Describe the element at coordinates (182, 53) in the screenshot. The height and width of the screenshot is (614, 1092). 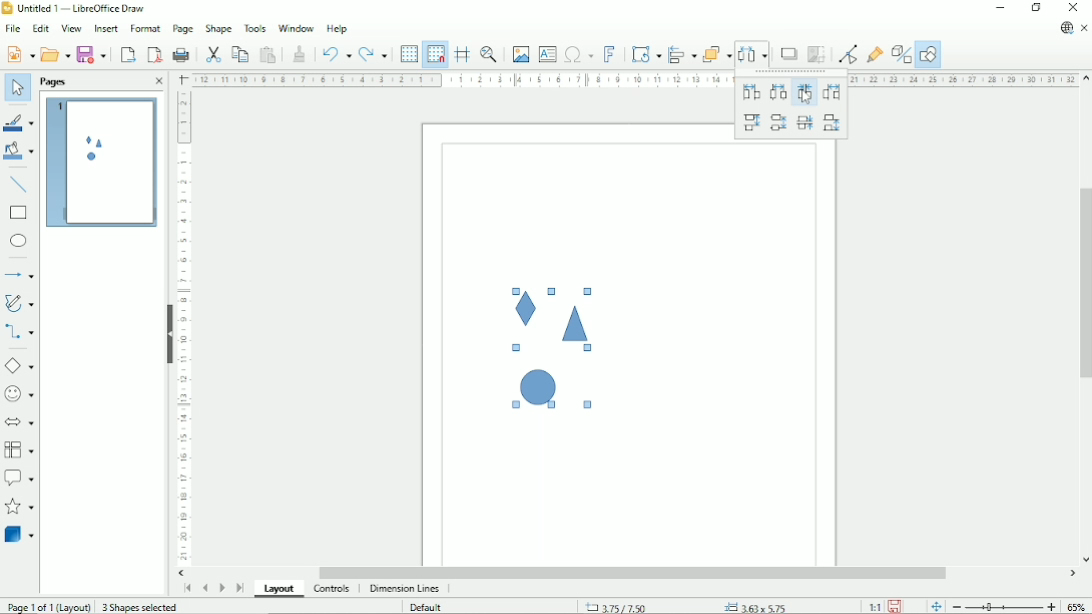
I see `Print` at that location.